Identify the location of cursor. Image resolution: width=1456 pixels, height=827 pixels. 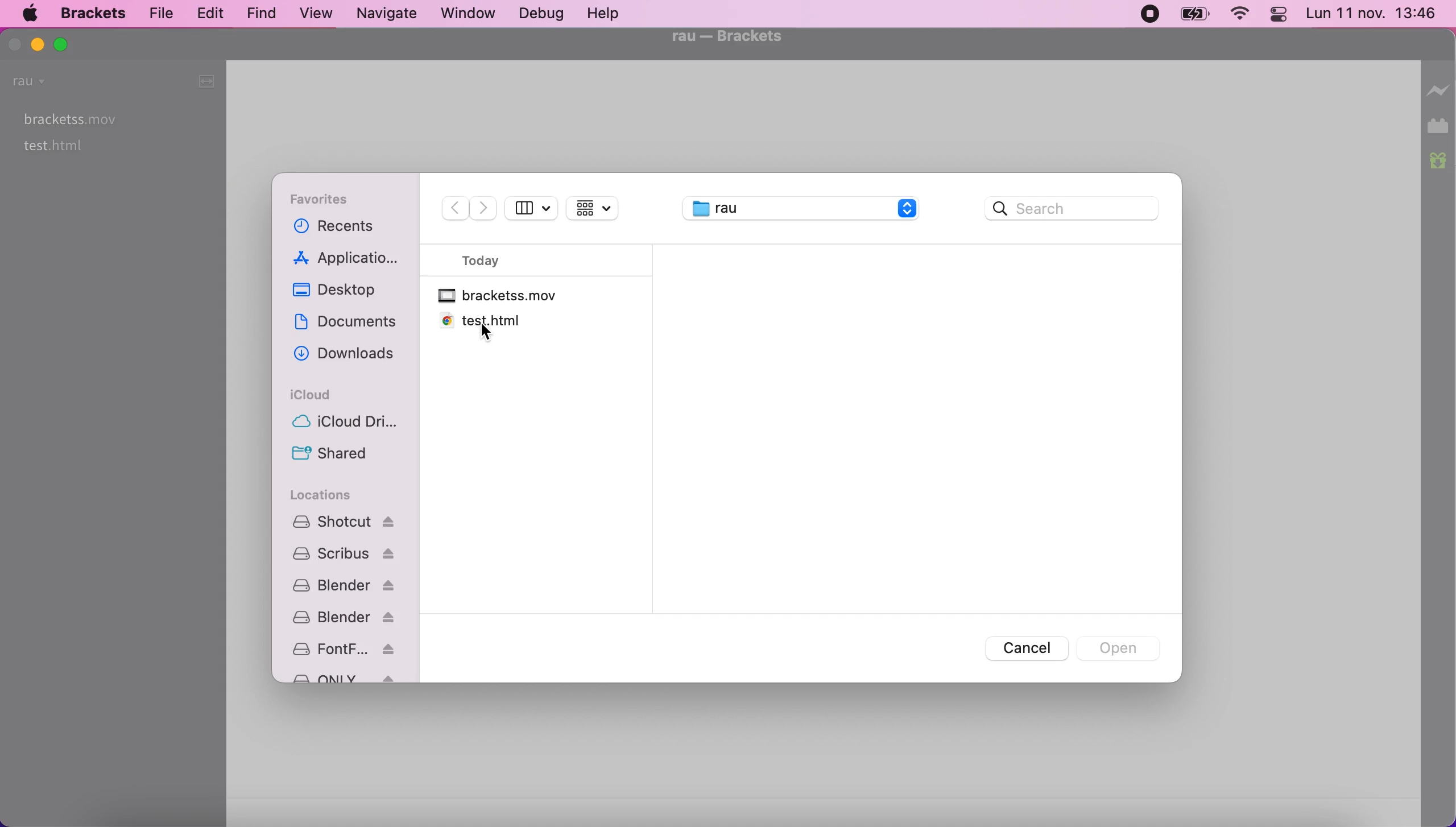
(483, 333).